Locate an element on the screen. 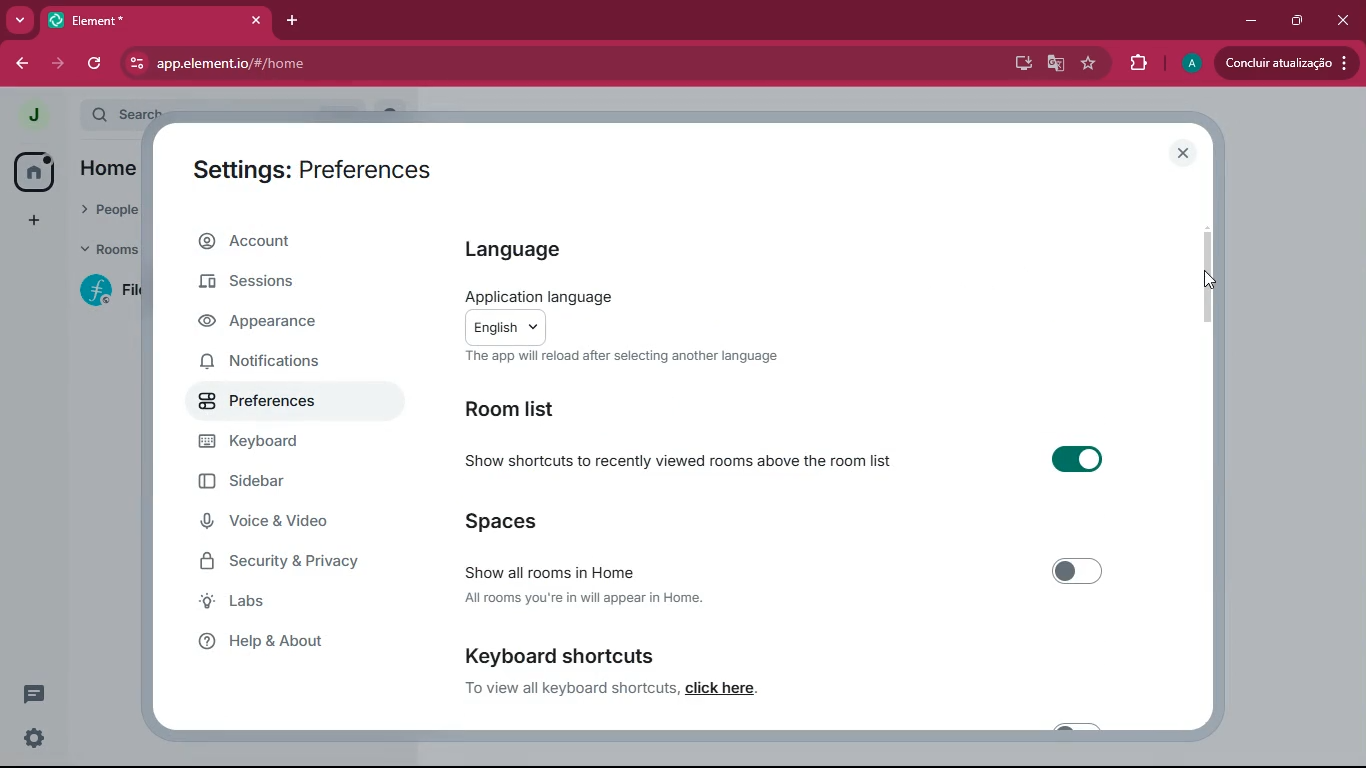 The height and width of the screenshot is (768, 1366). voice & video is located at coordinates (270, 524).